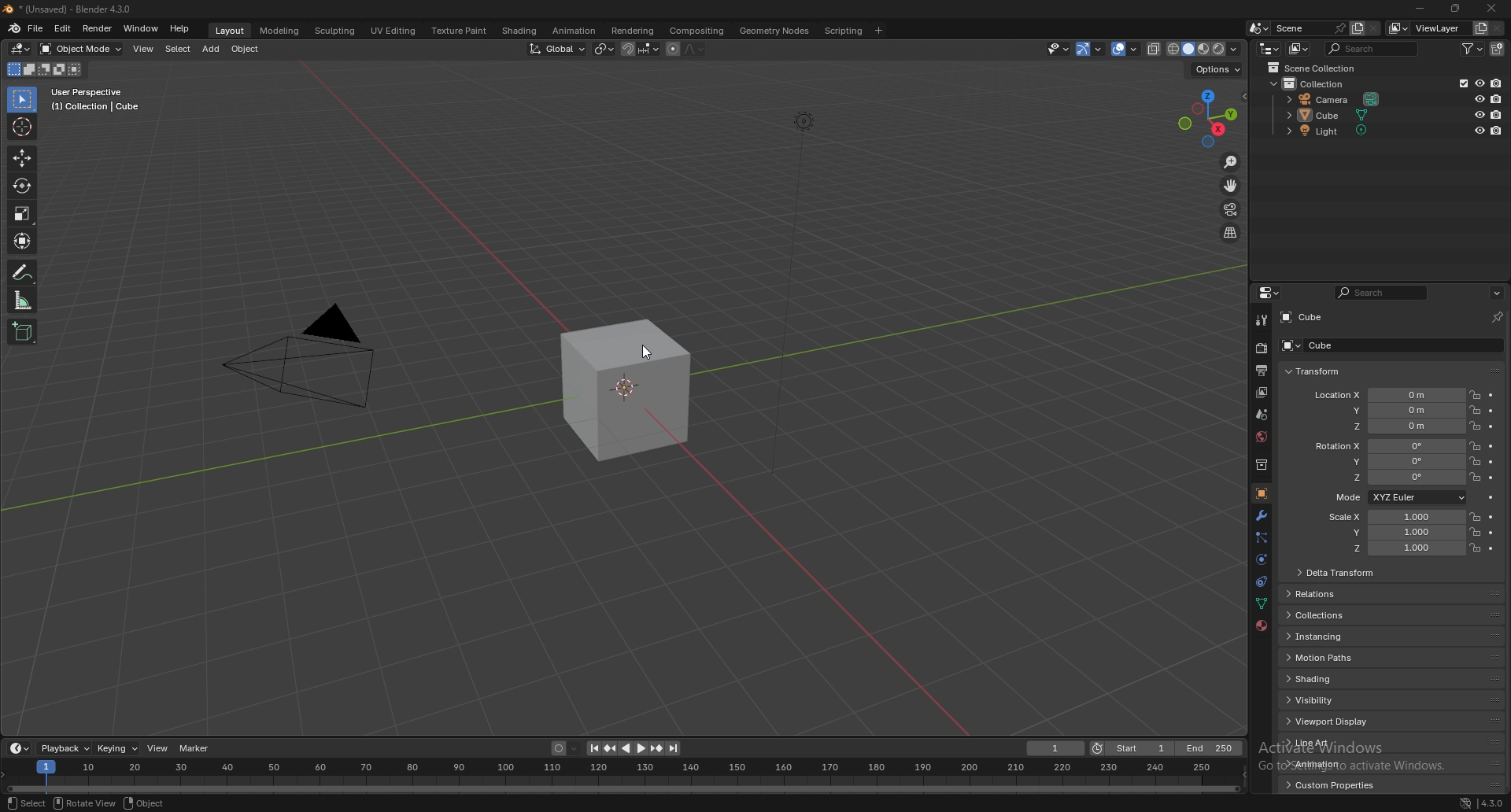 The height and width of the screenshot is (812, 1511). I want to click on viewport display, so click(1332, 722).